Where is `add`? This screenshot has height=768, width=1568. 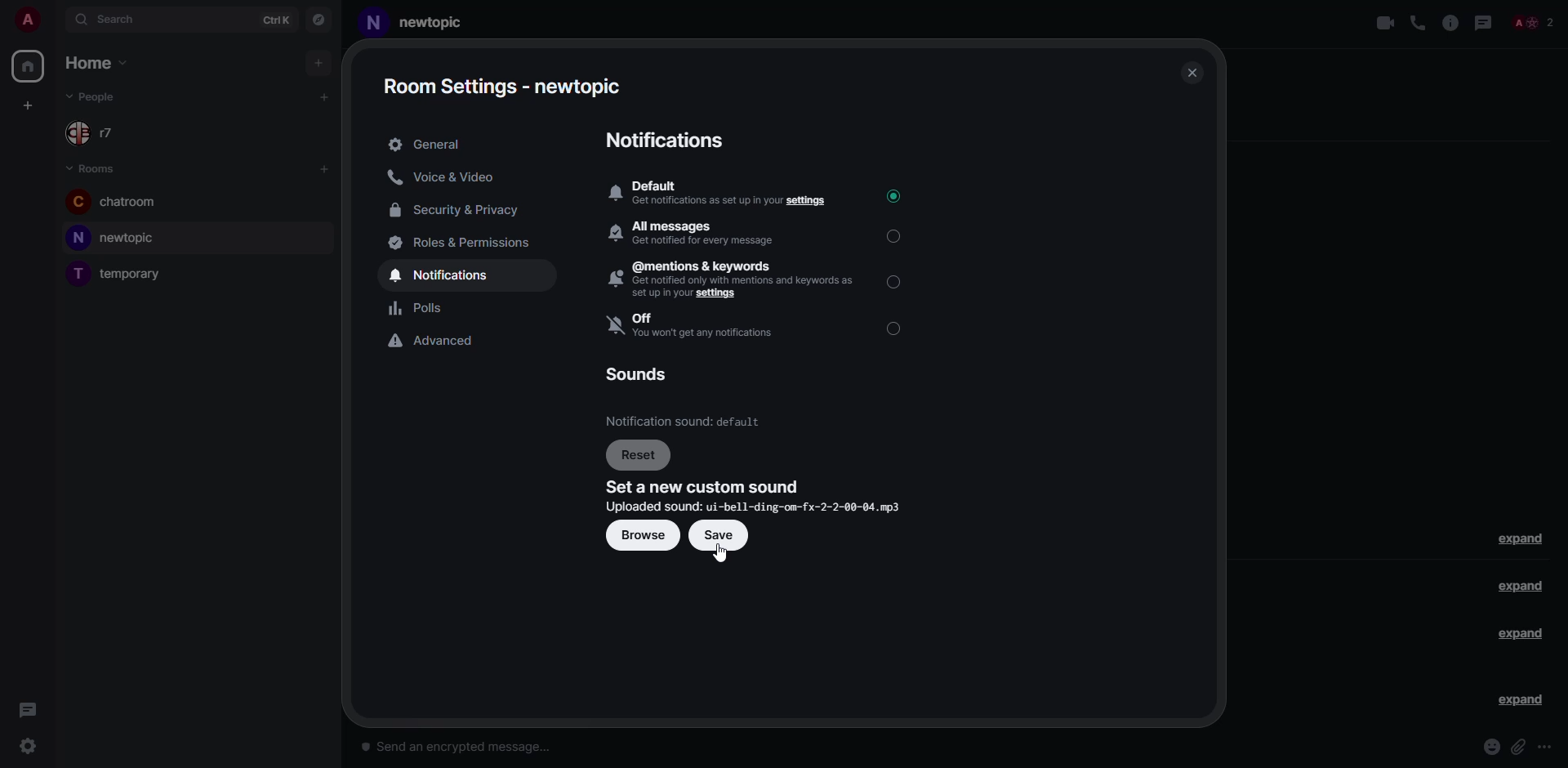 add is located at coordinates (321, 66).